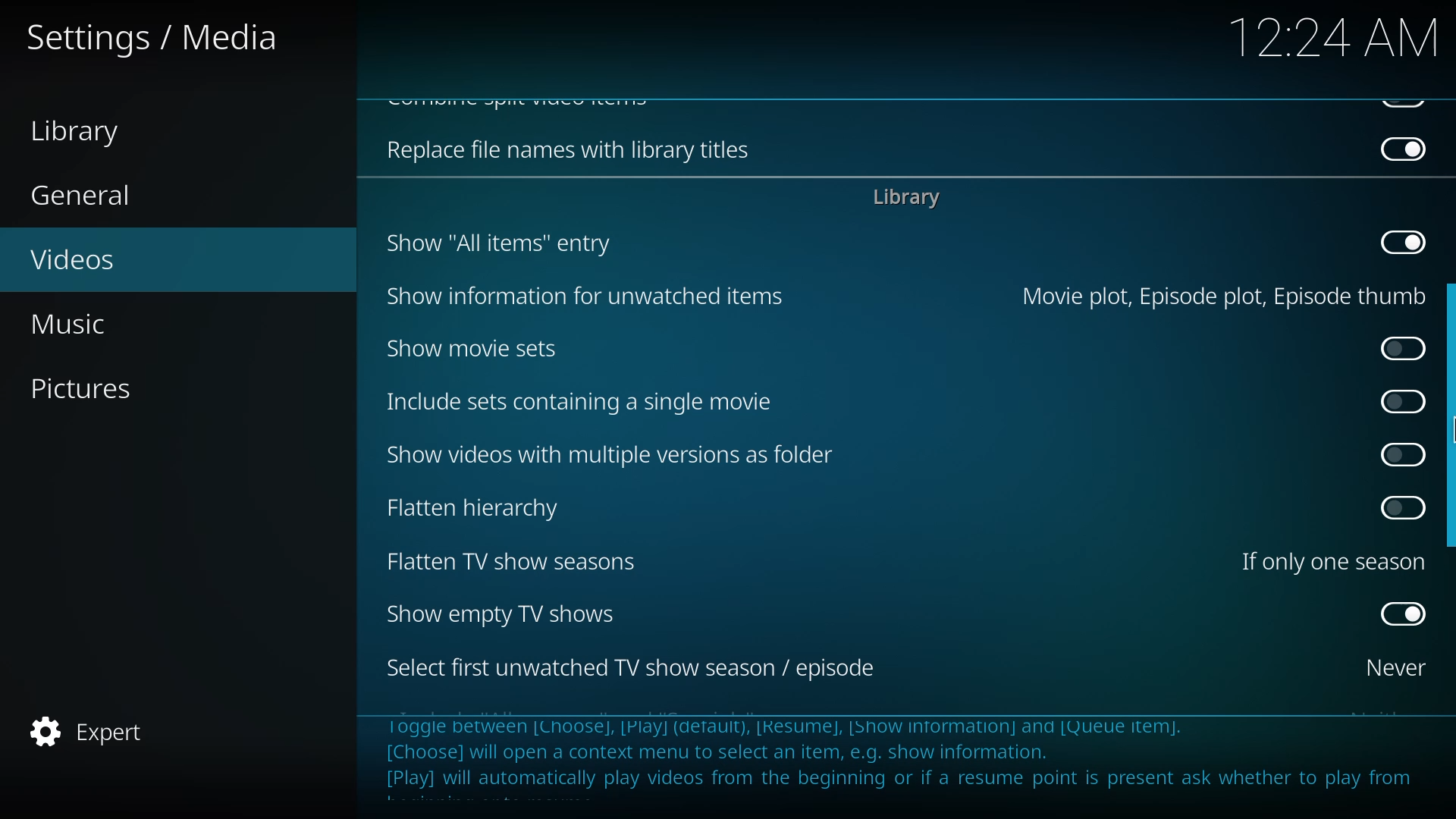  Describe the element at coordinates (92, 727) in the screenshot. I see `expert` at that location.